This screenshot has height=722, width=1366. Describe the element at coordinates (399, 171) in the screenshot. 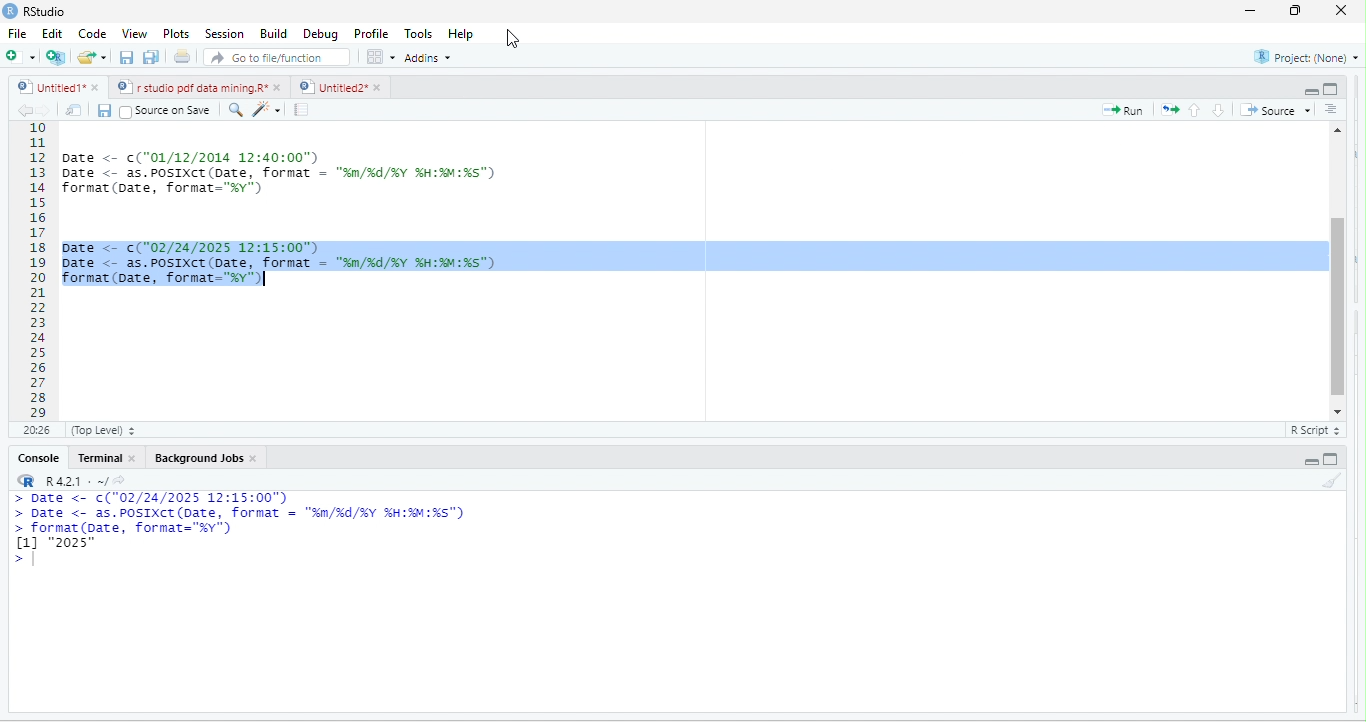

I see `Date <- ("01/12/2014 12:40:00")

Date <- as.POSIXCT (Date, format = "%m/%d/XY XH:%M:%s")
format (pate, format="%v")

| 1` at that location.